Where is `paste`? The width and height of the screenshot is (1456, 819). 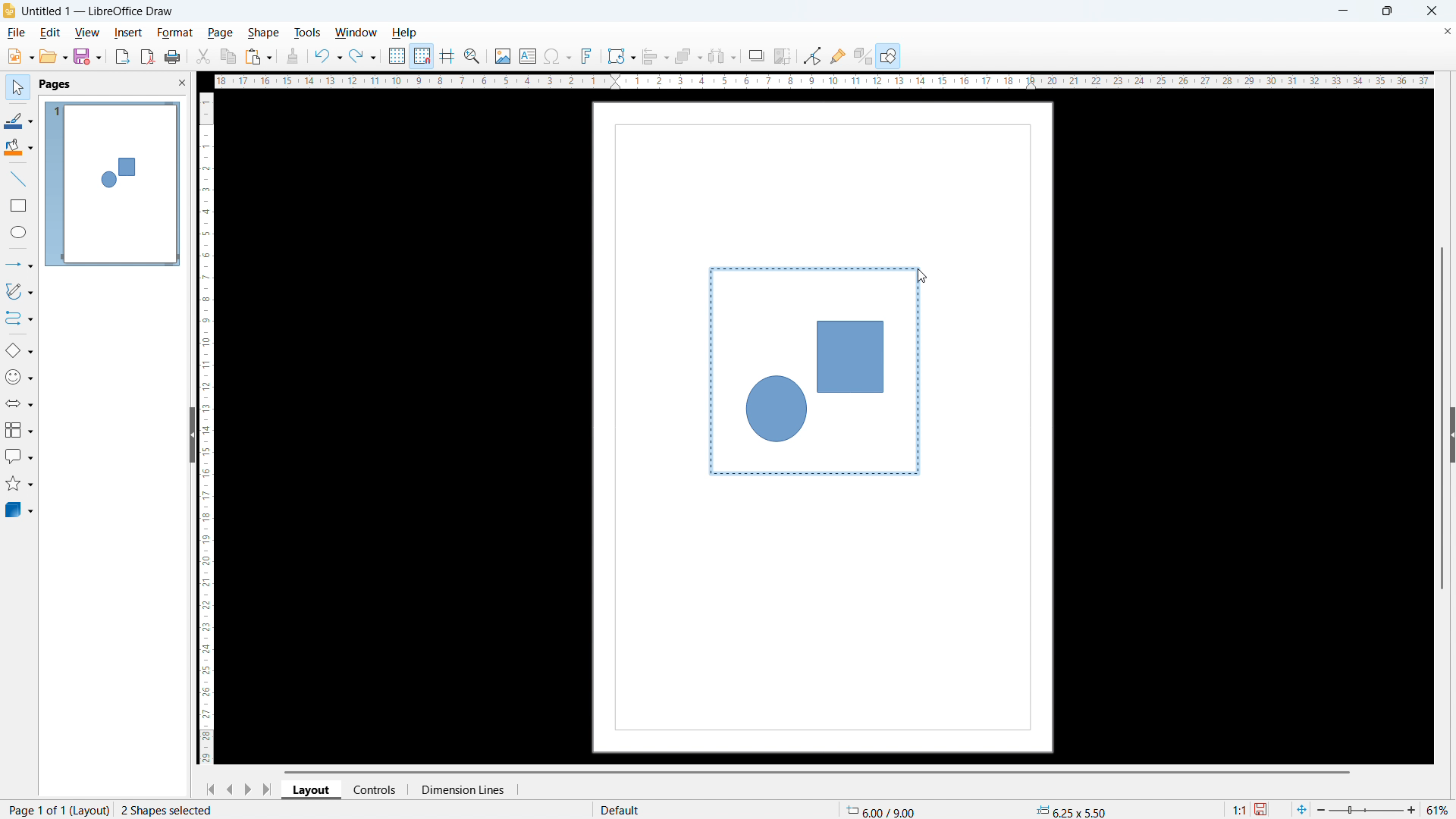 paste is located at coordinates (260, 57).